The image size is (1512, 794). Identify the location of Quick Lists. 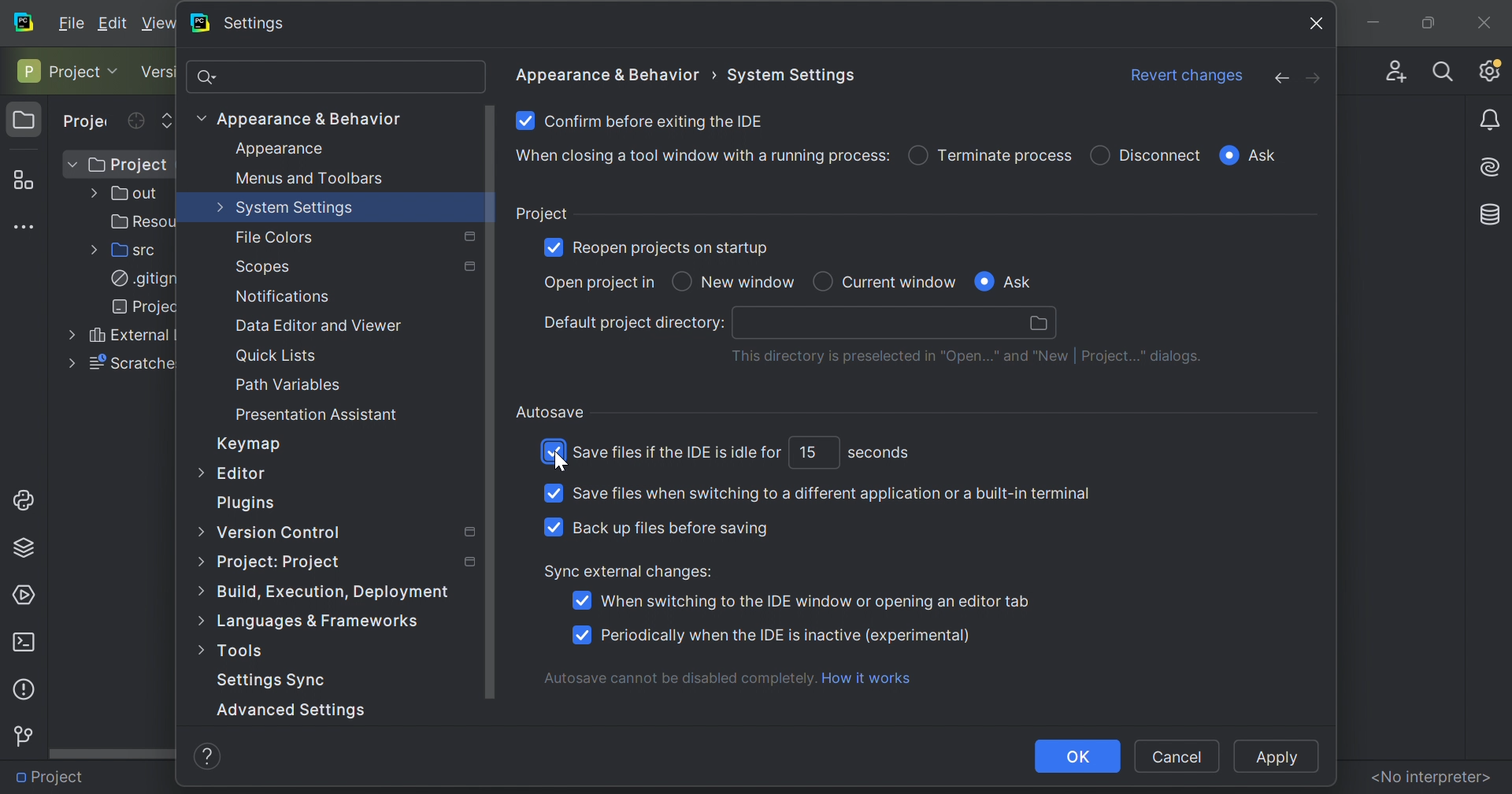
(279, 355).